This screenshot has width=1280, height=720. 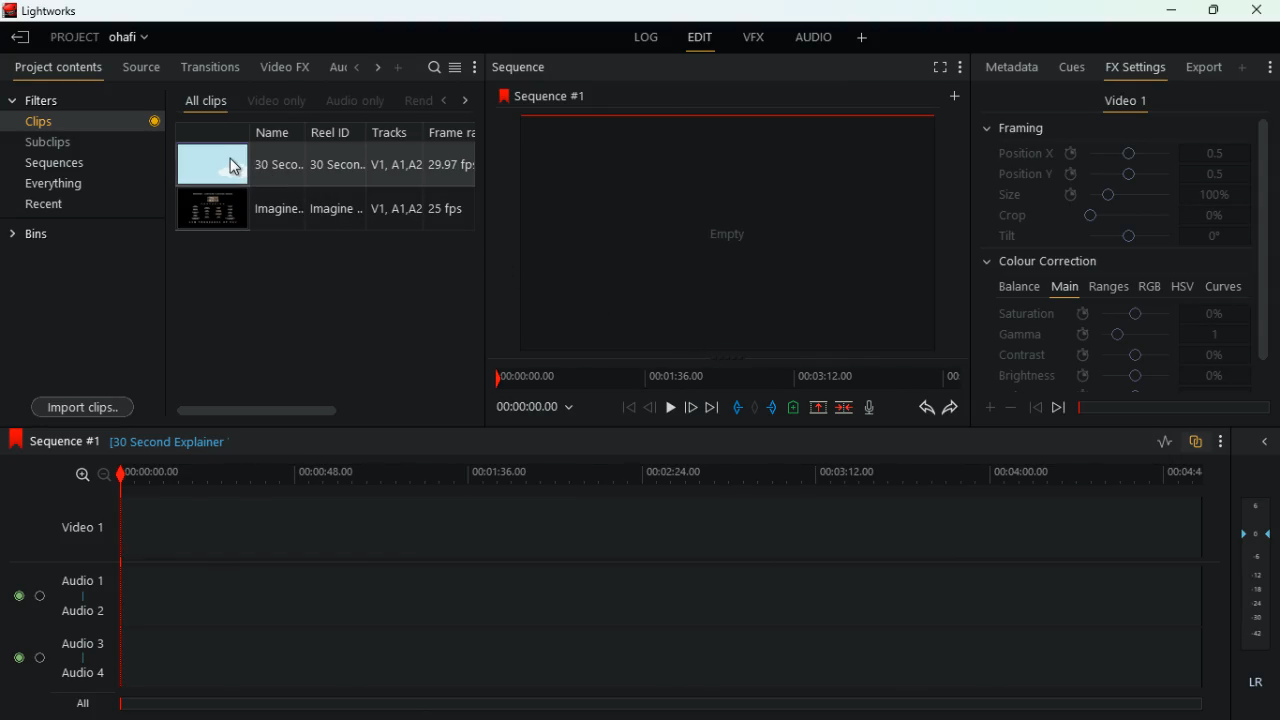 I want to click on au, so click(x=334, y=67).